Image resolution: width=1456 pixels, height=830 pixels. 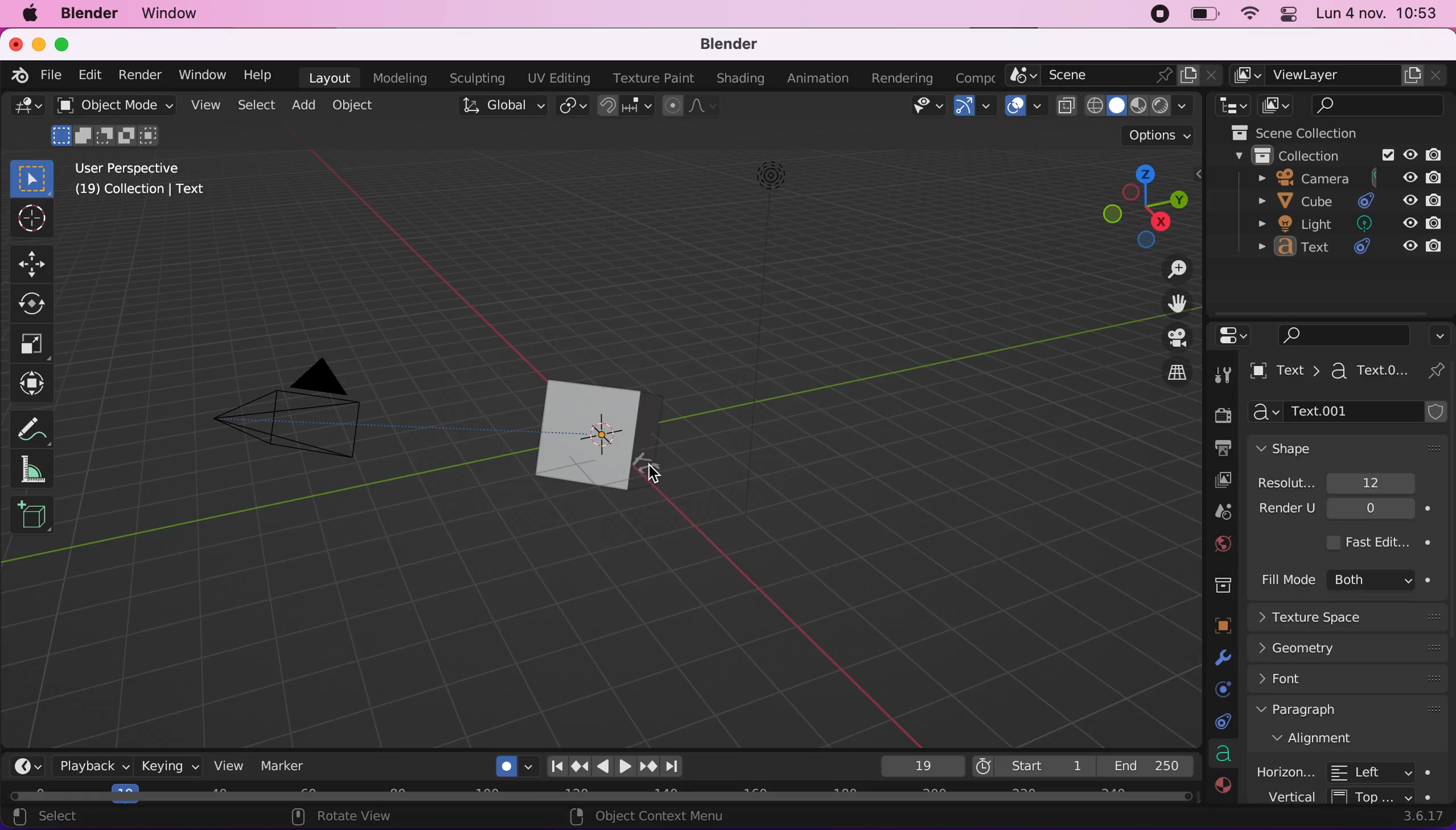 What do you see at coordinates (508, 763) in the screenshot?
I see `auto keying` at bounding box center [508, 763].